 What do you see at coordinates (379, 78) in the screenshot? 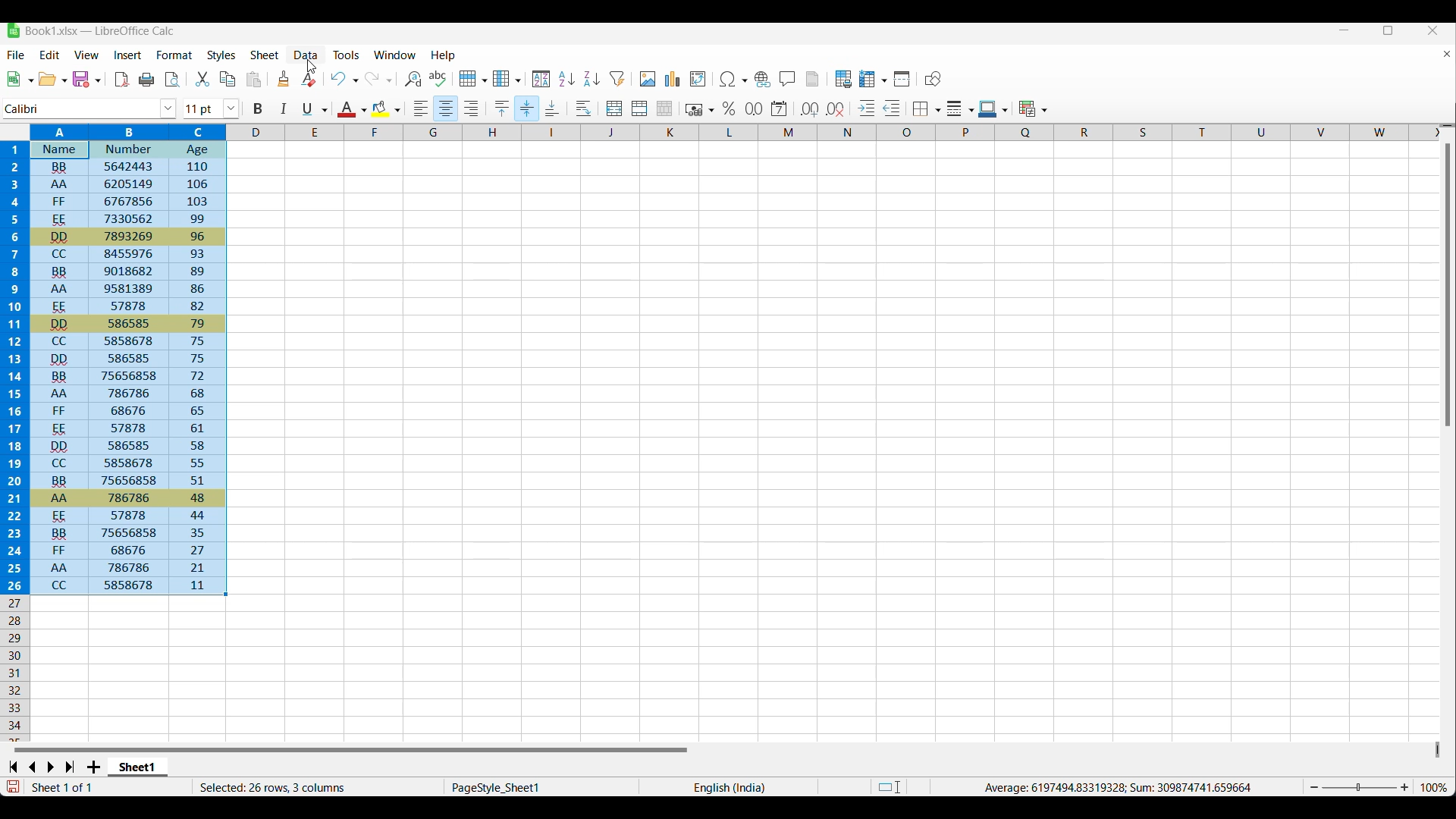
I see `Redo and redo options` at bounding box center [379, 78].